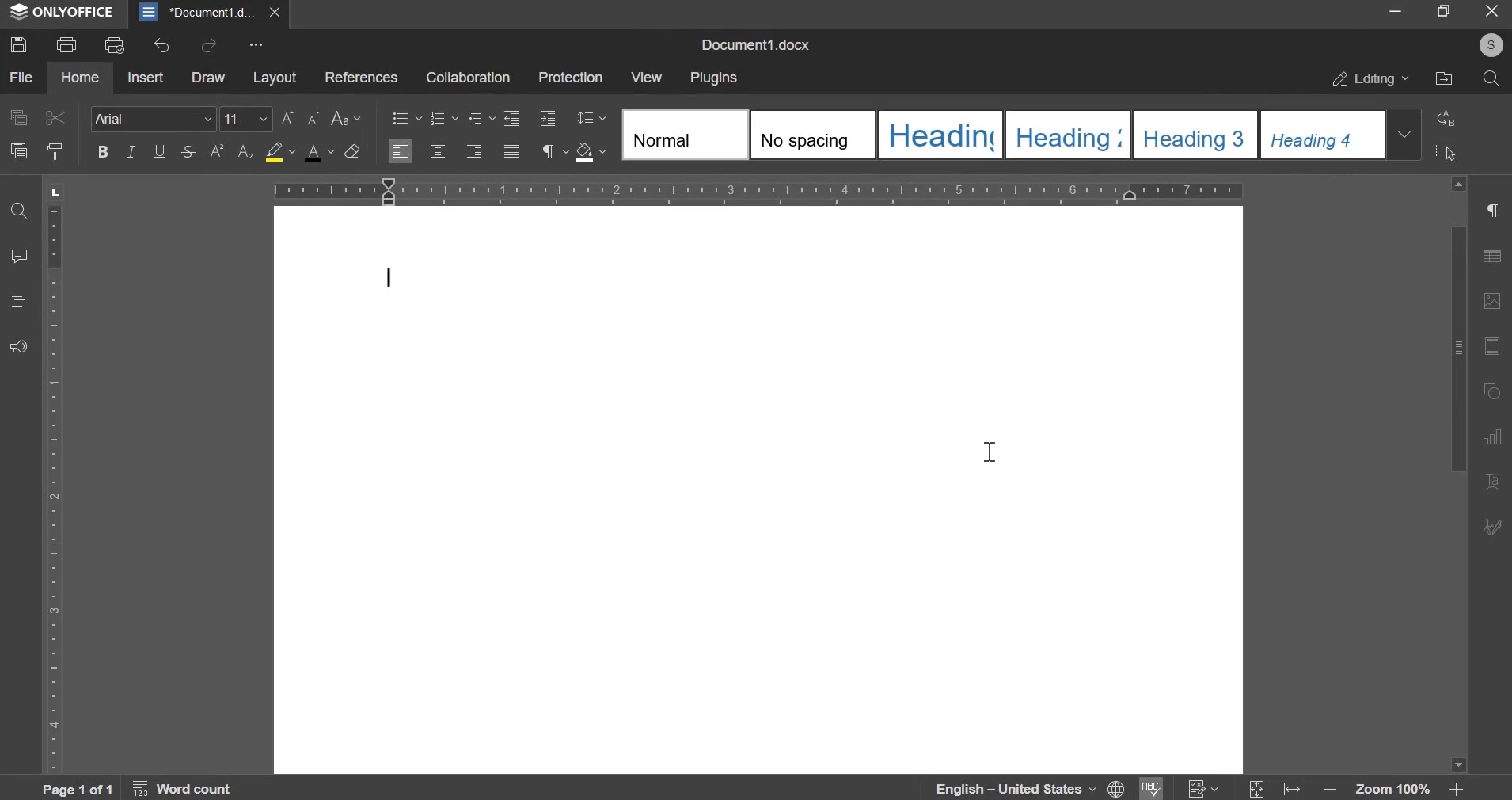 The width and height of the screenshot is (1512, 800). I want to click on full screen, so click(1442, 11).